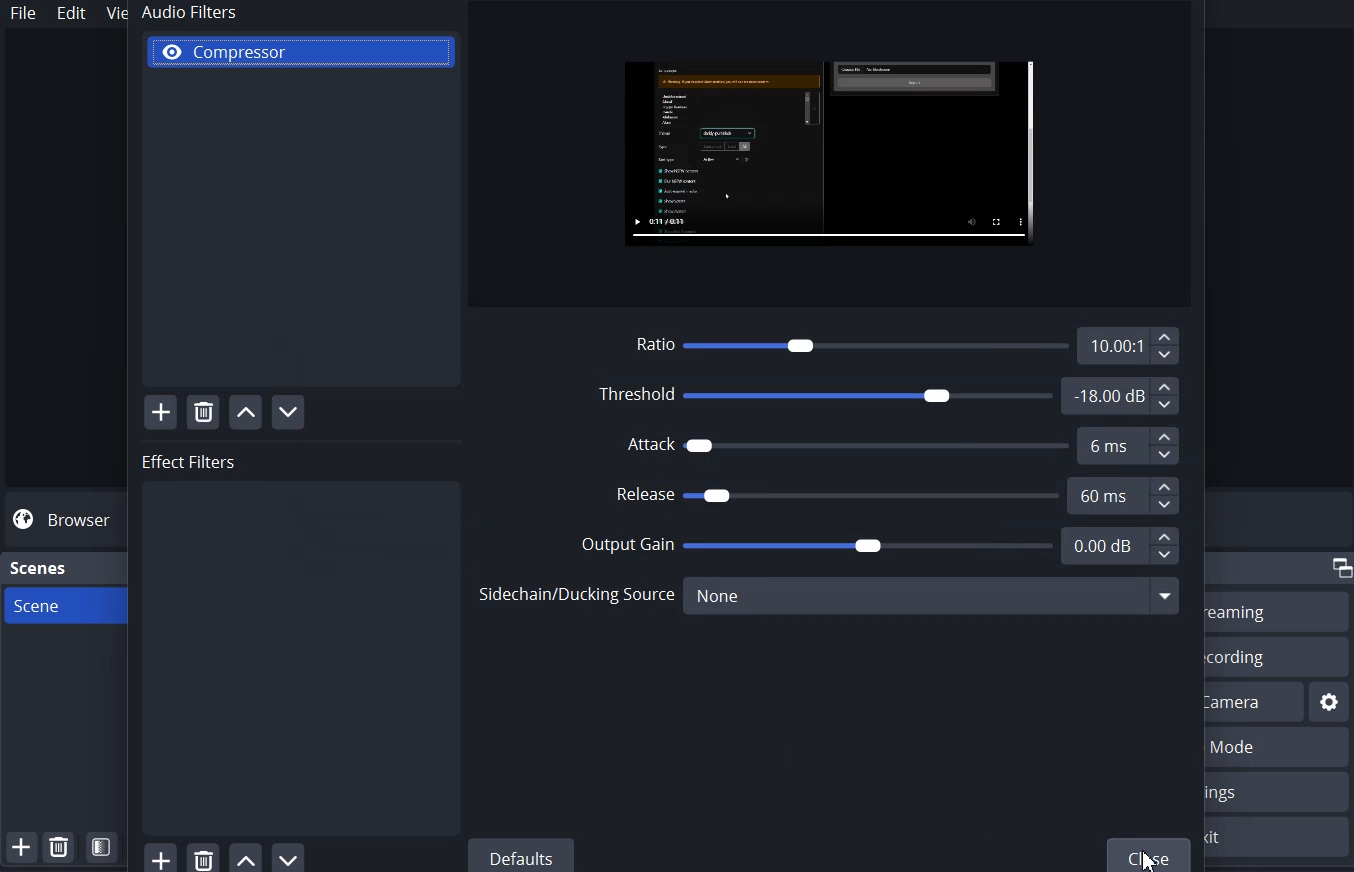 This screenshot has width=1354, height=872. What do you see at coordinates (520, 855) in the screenshot?
I see `Defaults` at bounding box center [520, 855].